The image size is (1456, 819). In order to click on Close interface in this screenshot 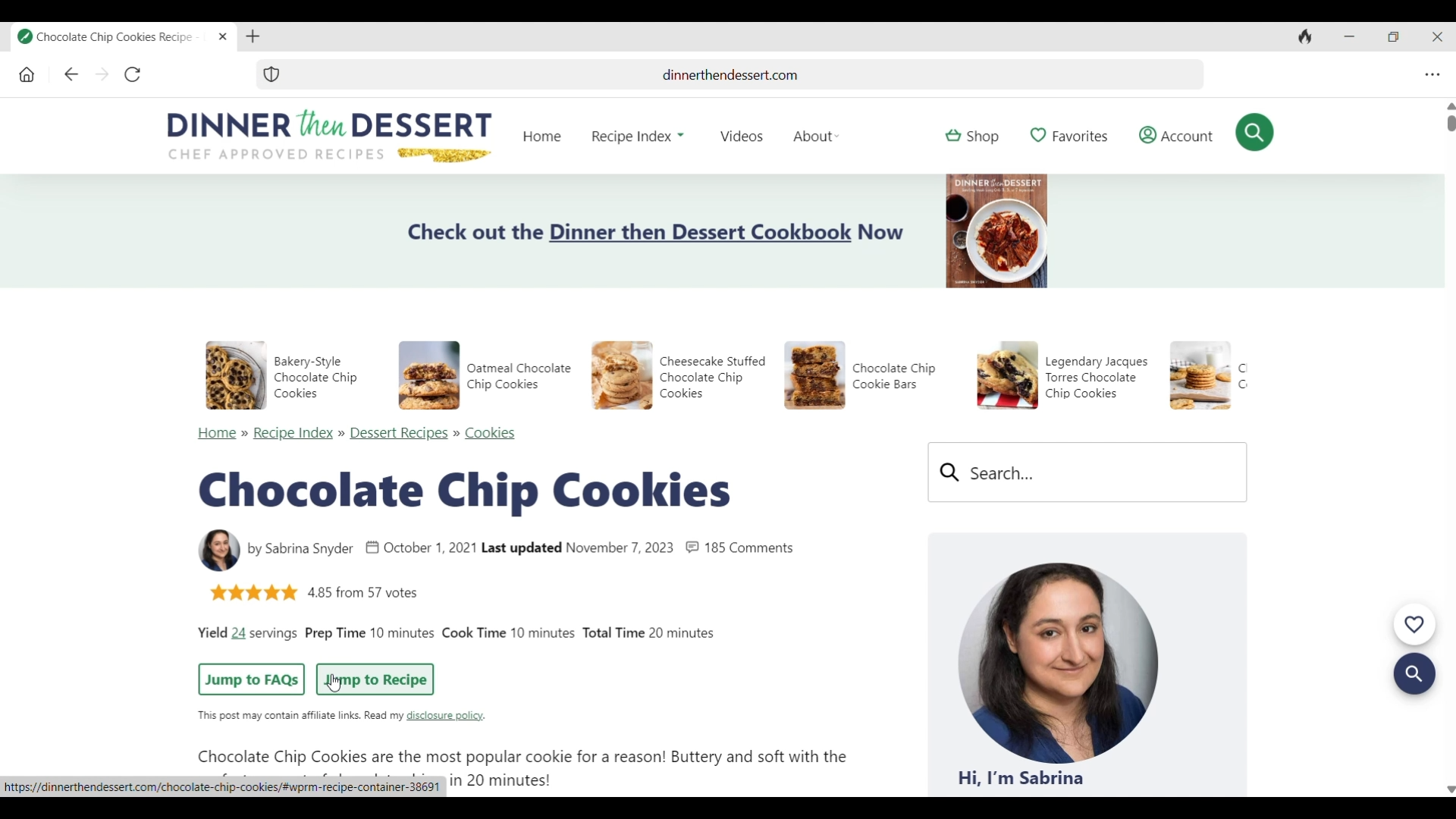, I will do `click(1435, 38)`.